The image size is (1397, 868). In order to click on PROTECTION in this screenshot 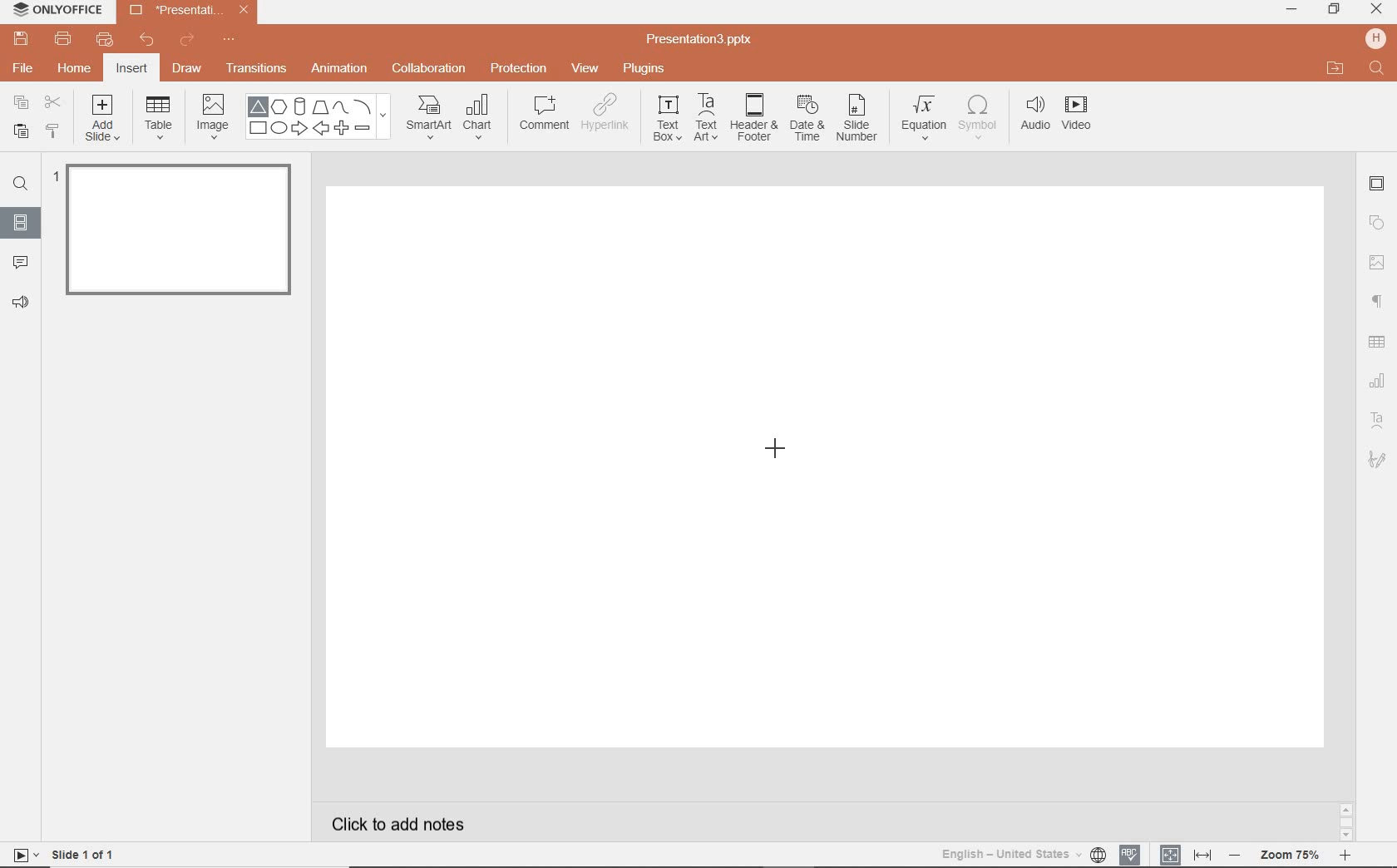, I will do `click(520, 67)`.